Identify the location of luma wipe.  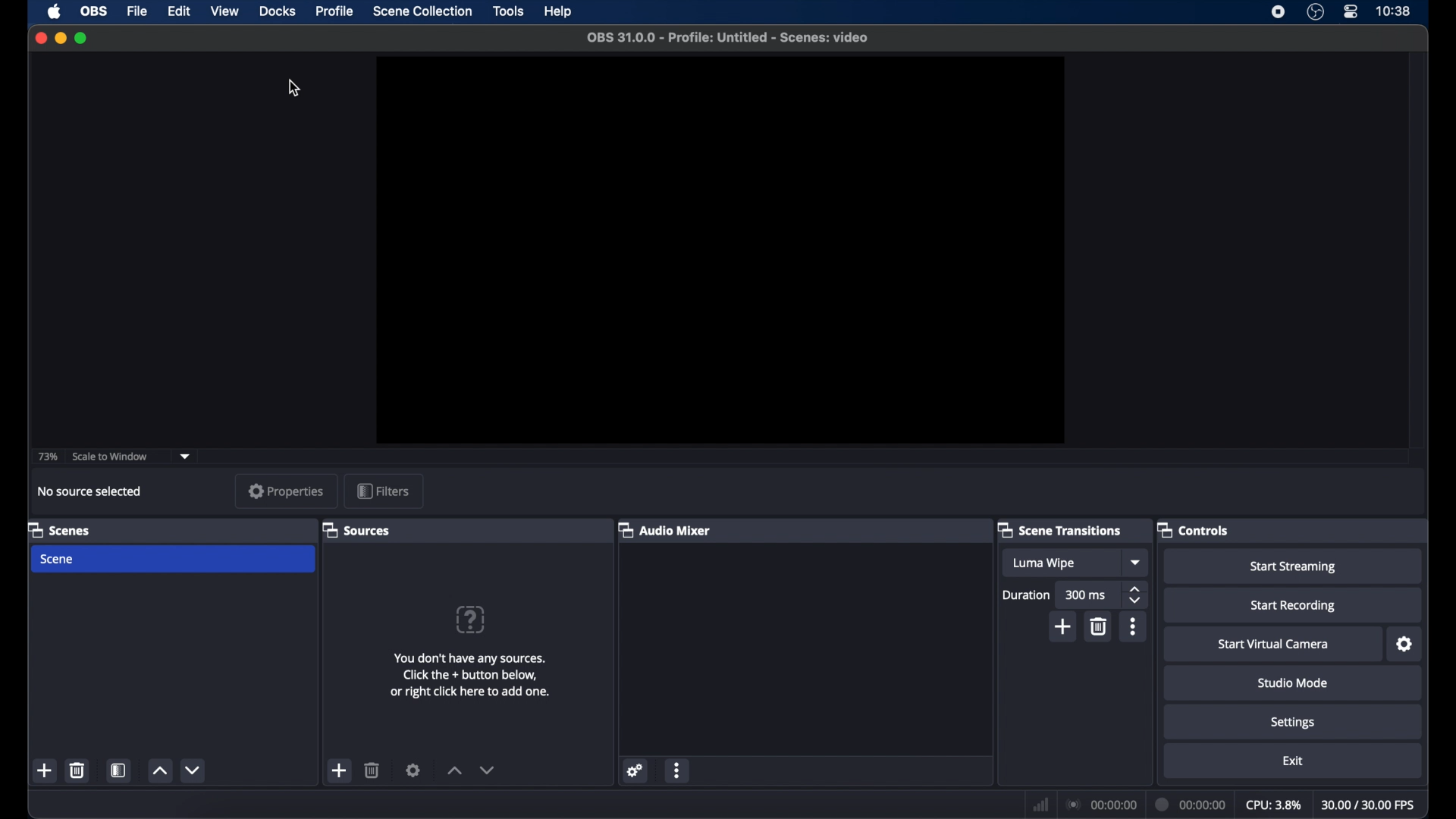
(1043, 563).